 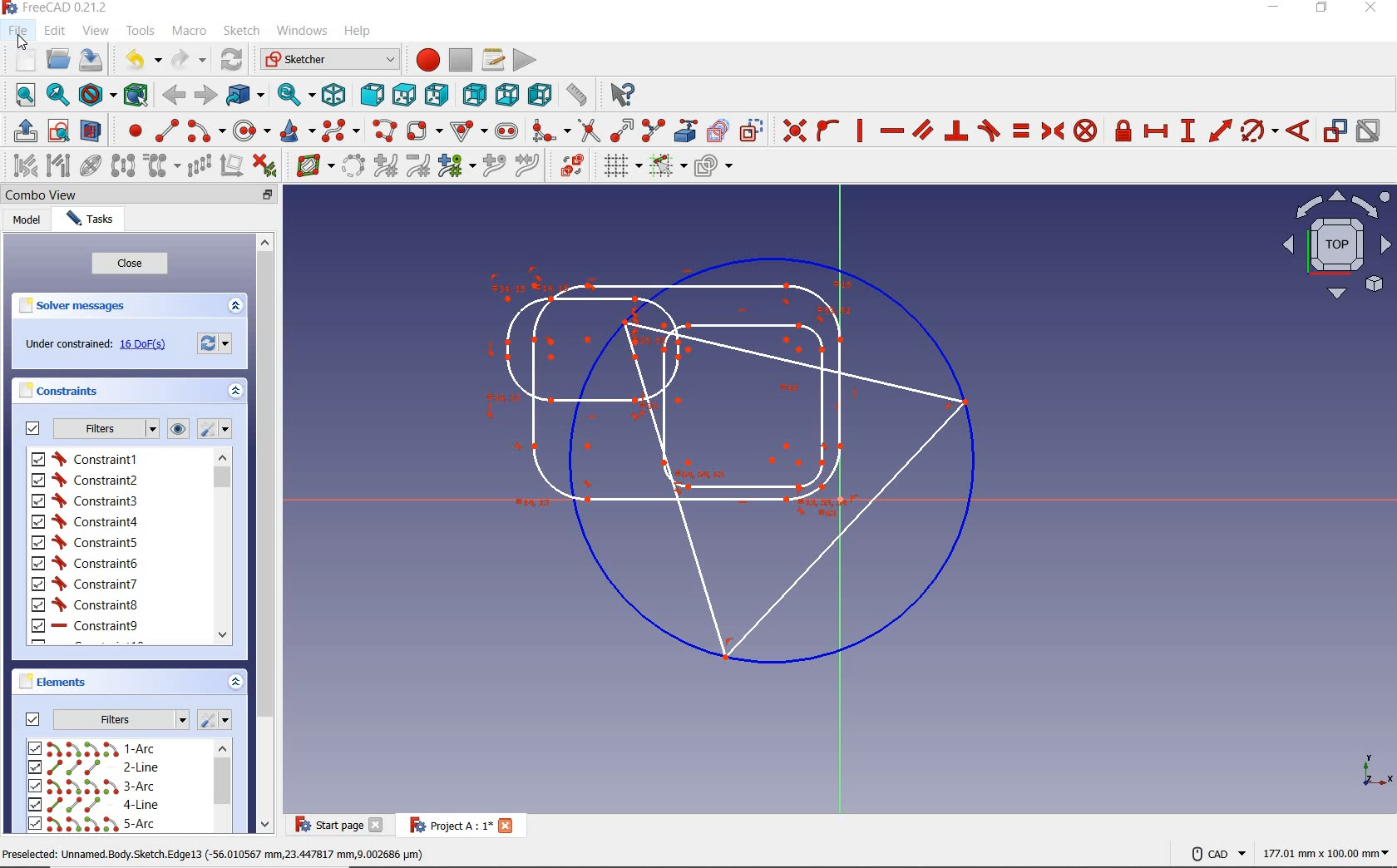 What do you see at coordinates (506, 95) in the screenshot?
I see `bottom` at bounding box center [506, 95].